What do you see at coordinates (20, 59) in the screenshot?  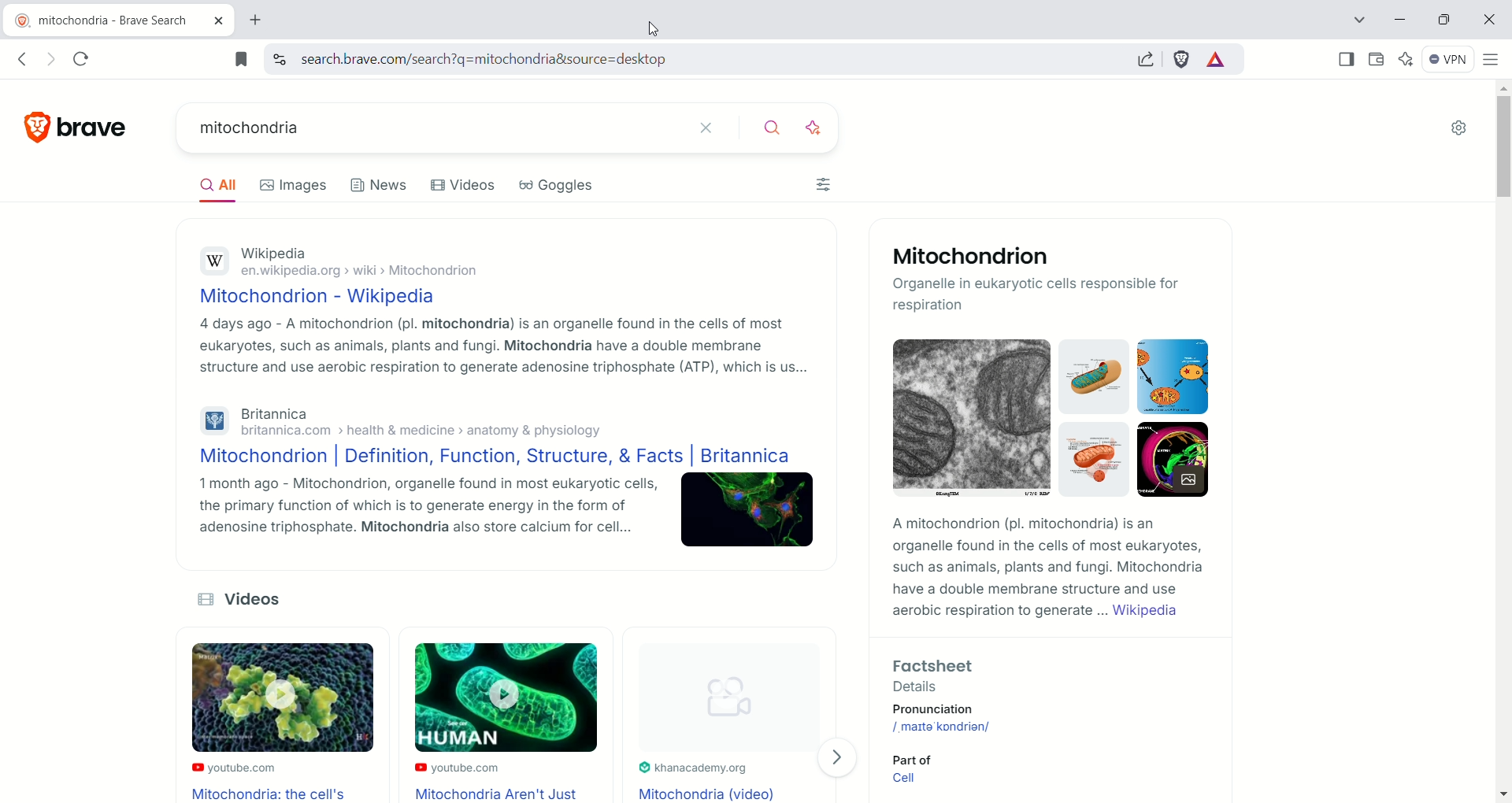 I see `go back` at bounding box center [20, 59].